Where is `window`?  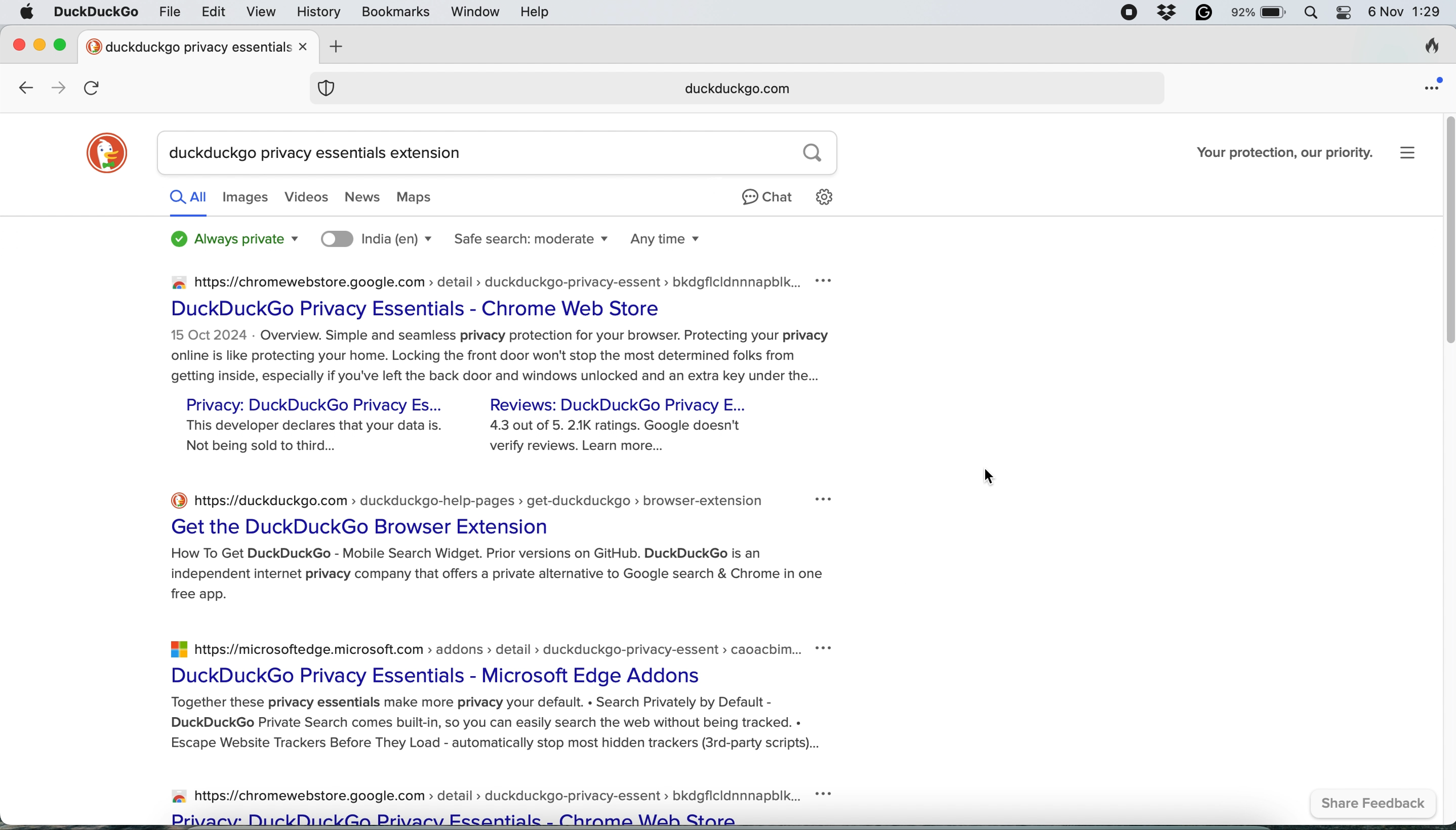
window is located at coordinates (476, 14).